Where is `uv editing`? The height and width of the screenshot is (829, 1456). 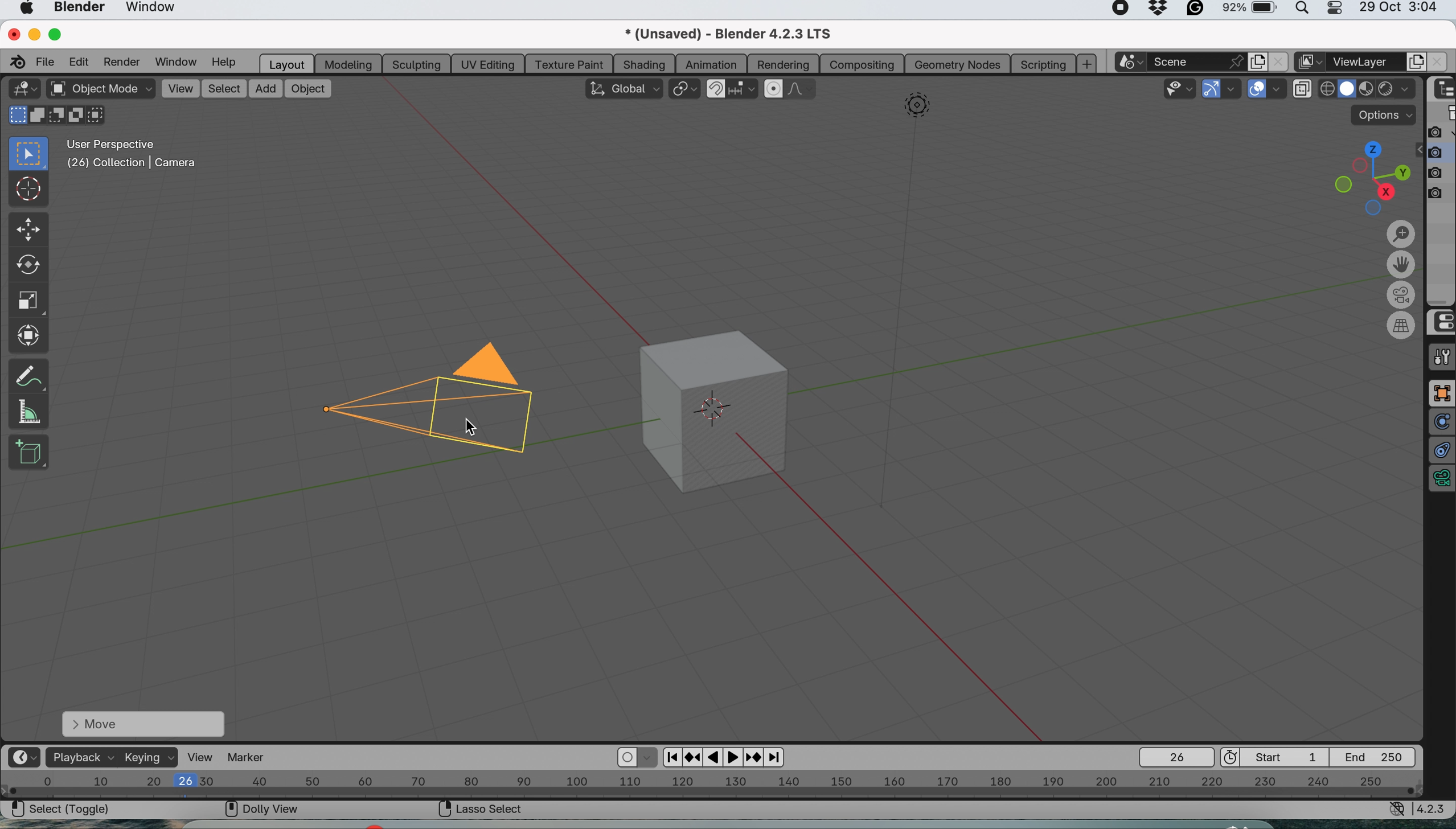
uv editing is located at coordinates (489, 63).